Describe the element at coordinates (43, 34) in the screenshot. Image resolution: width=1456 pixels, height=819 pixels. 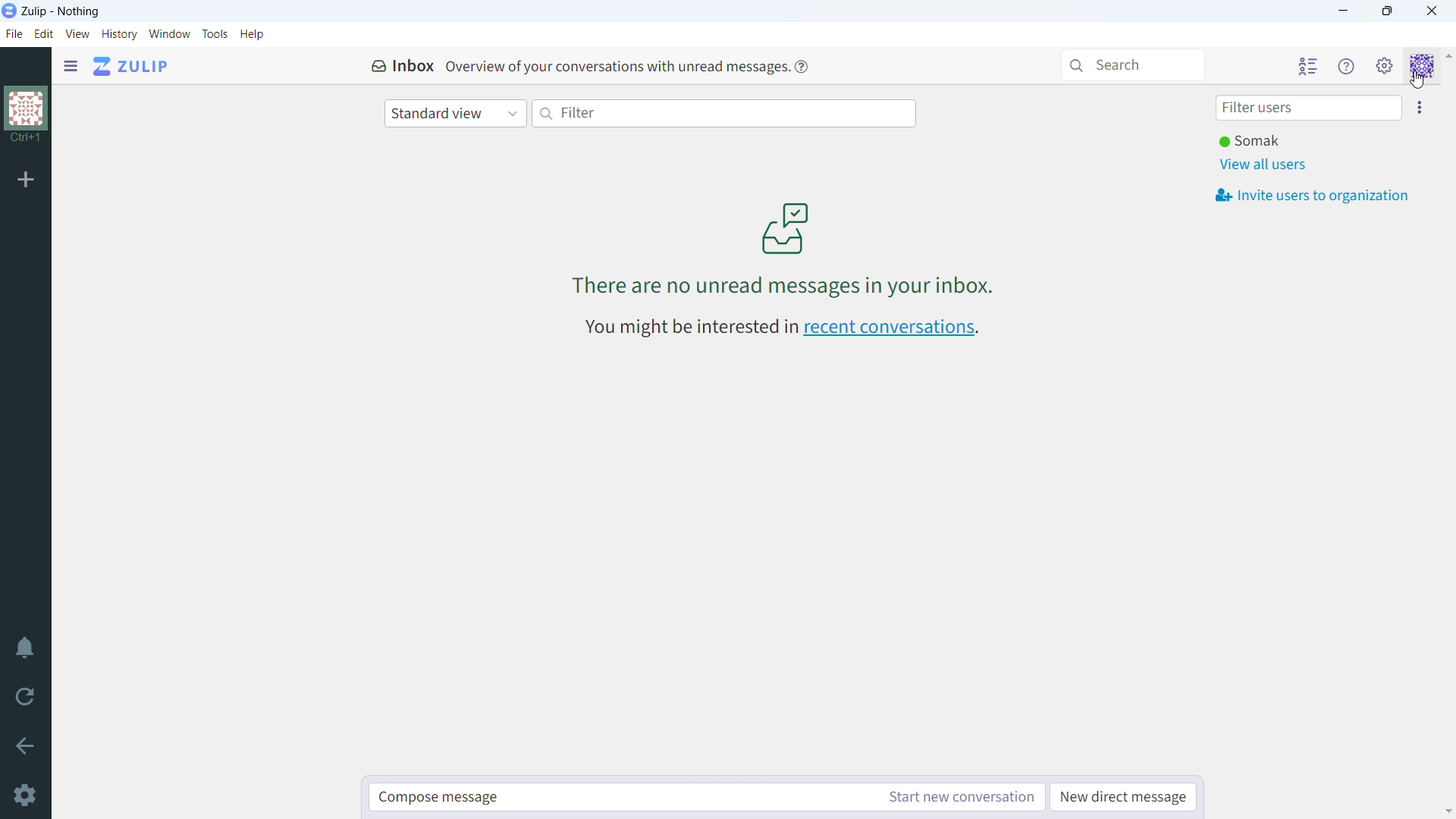
I see `edit` at that location.